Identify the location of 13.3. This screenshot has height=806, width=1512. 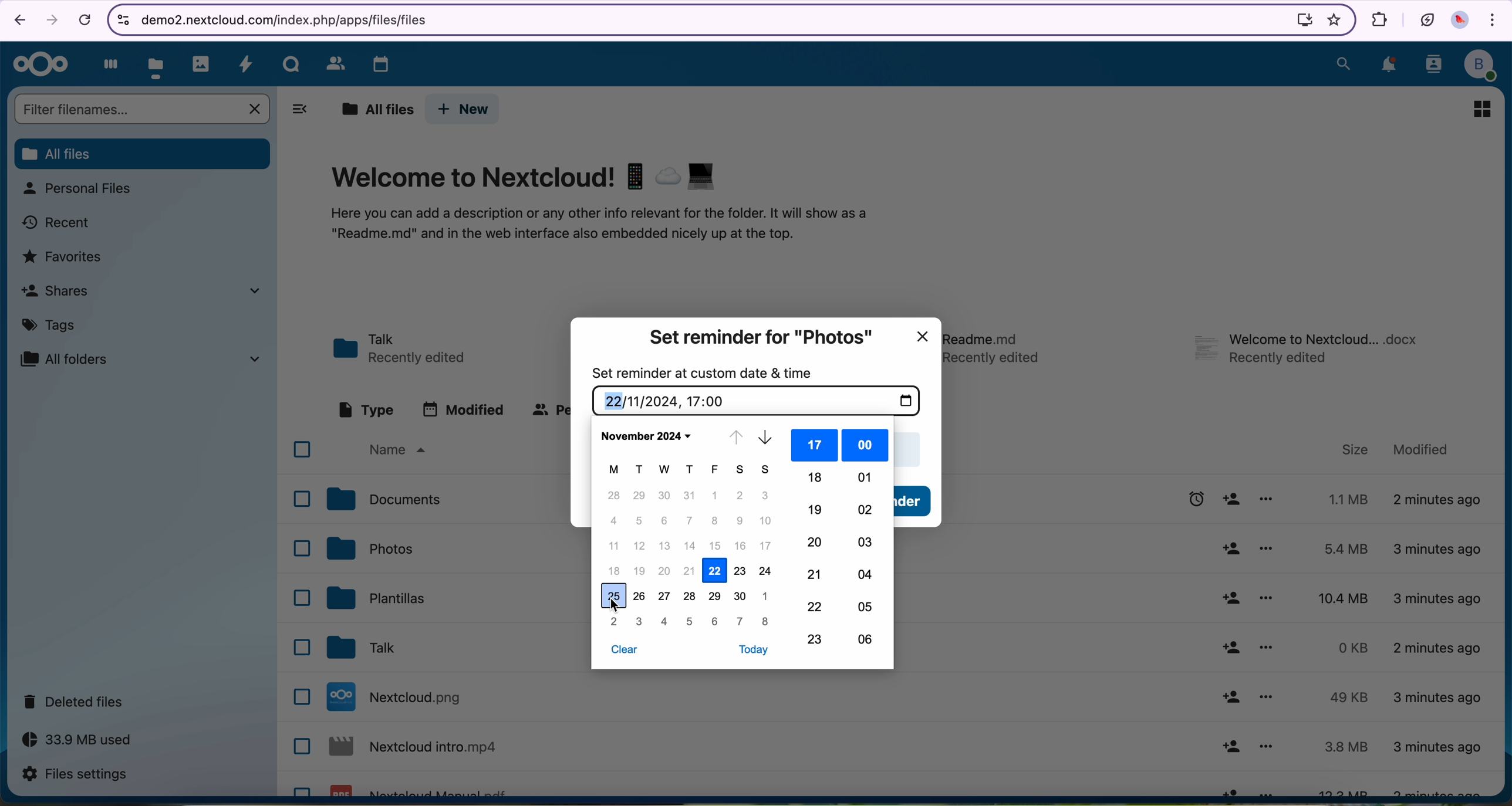
(1346, 789).